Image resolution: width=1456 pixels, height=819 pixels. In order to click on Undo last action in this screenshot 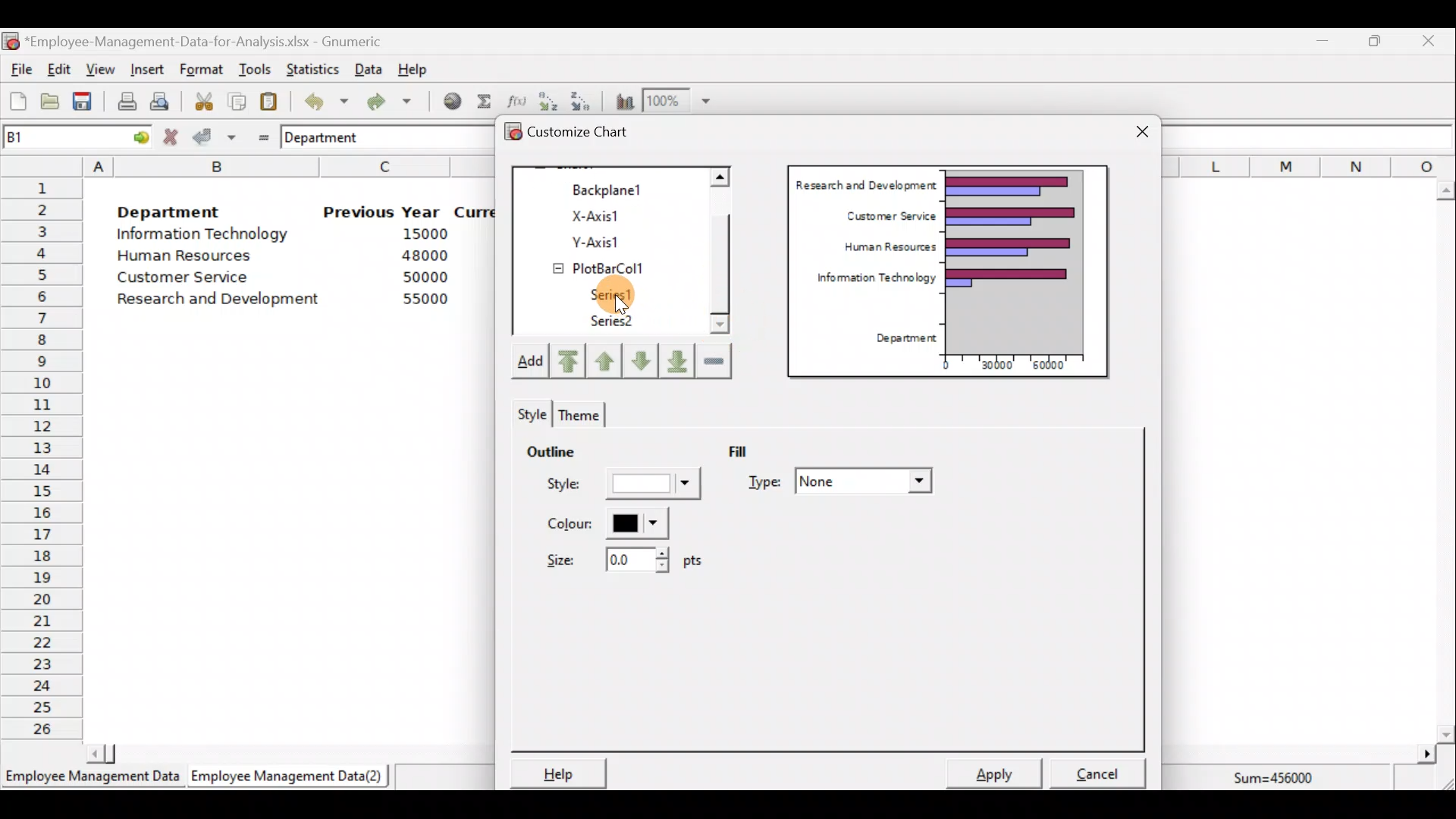, I will do `click(318, 98)`.